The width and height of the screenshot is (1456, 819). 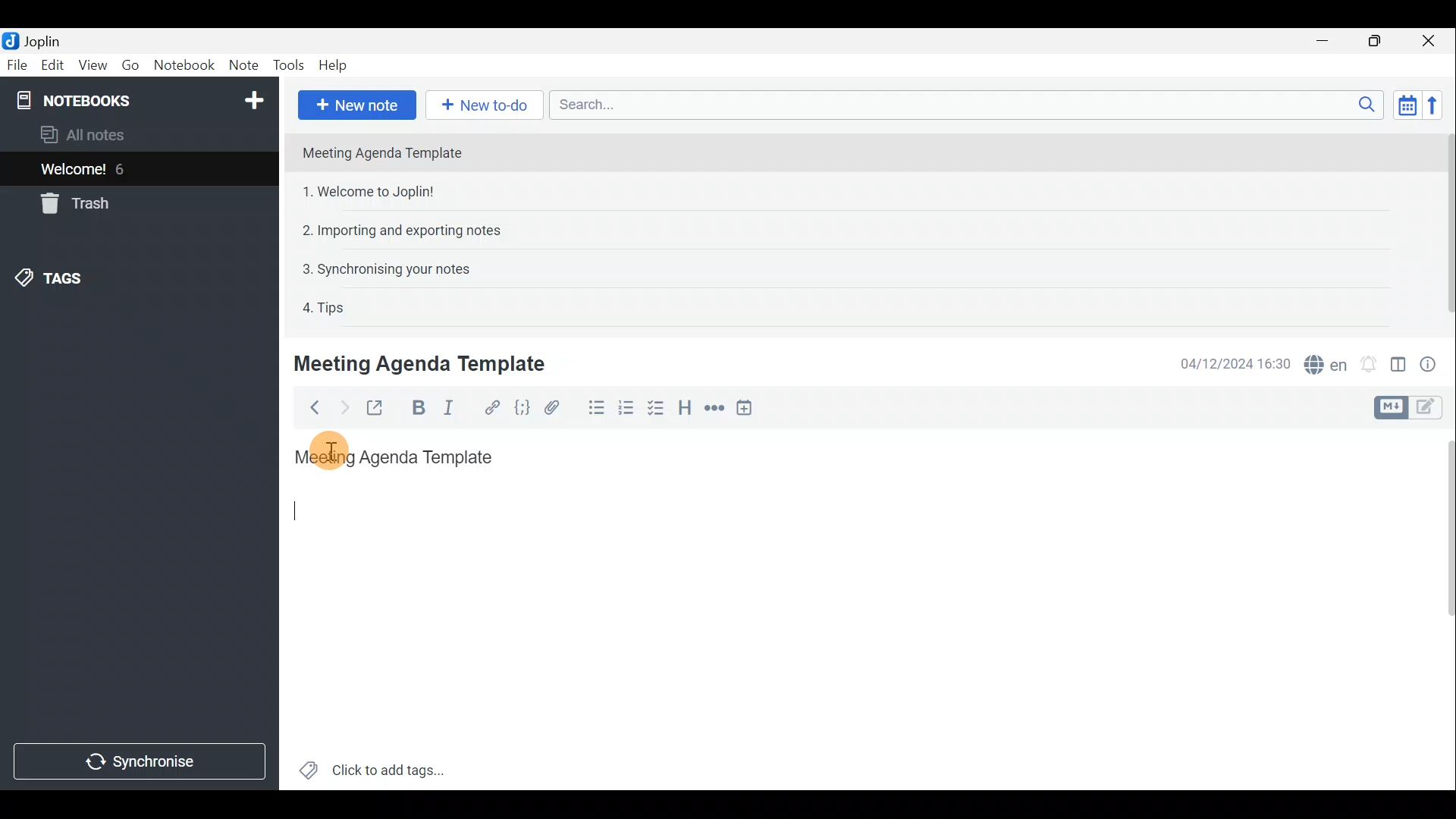 What do you see at coordinates (310, 410) in the screenshot?
I see `Back` at bounding box center [310, 410].